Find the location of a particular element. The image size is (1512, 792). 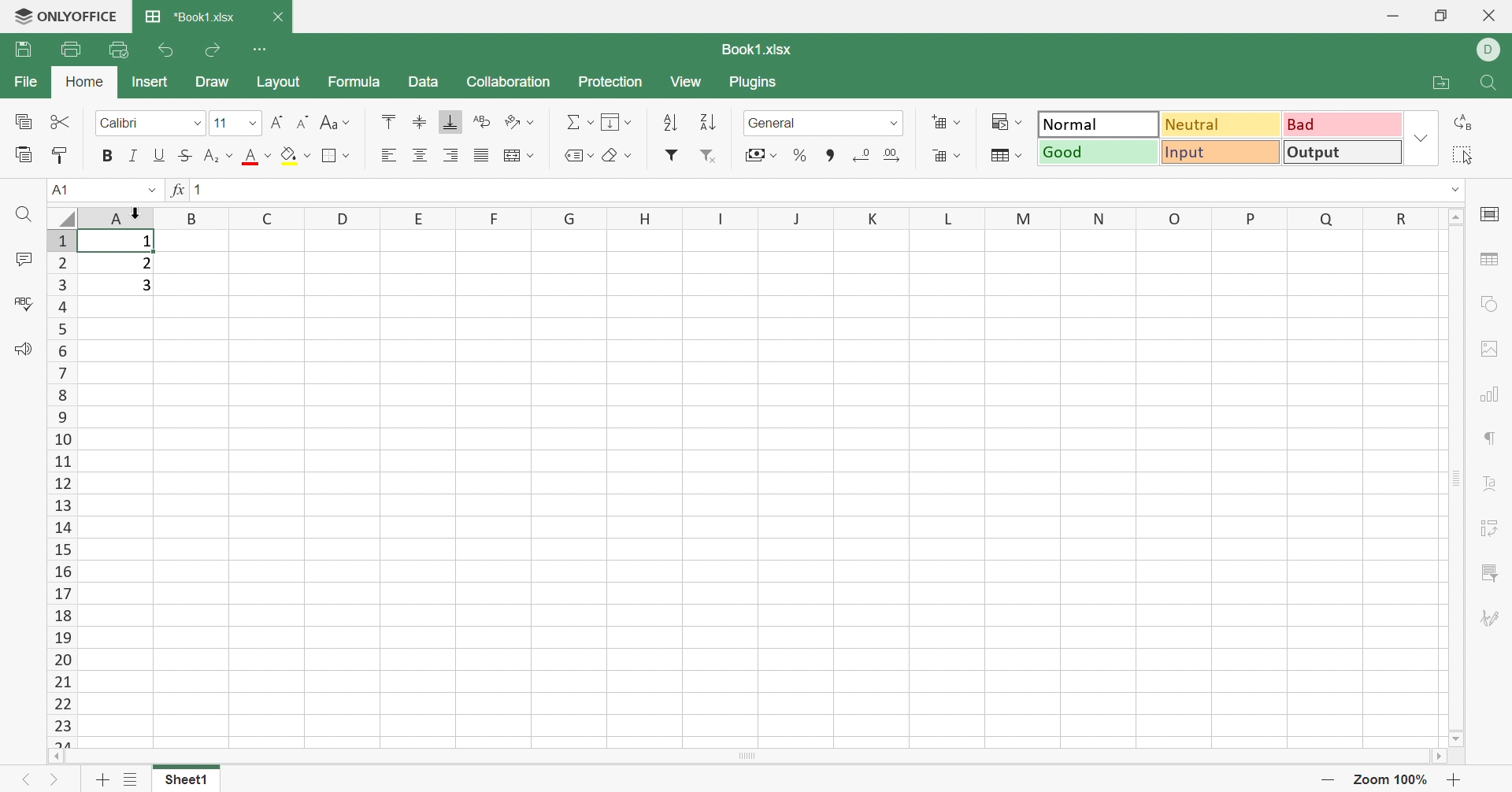

Align middle is located at coordinates (421, 124).